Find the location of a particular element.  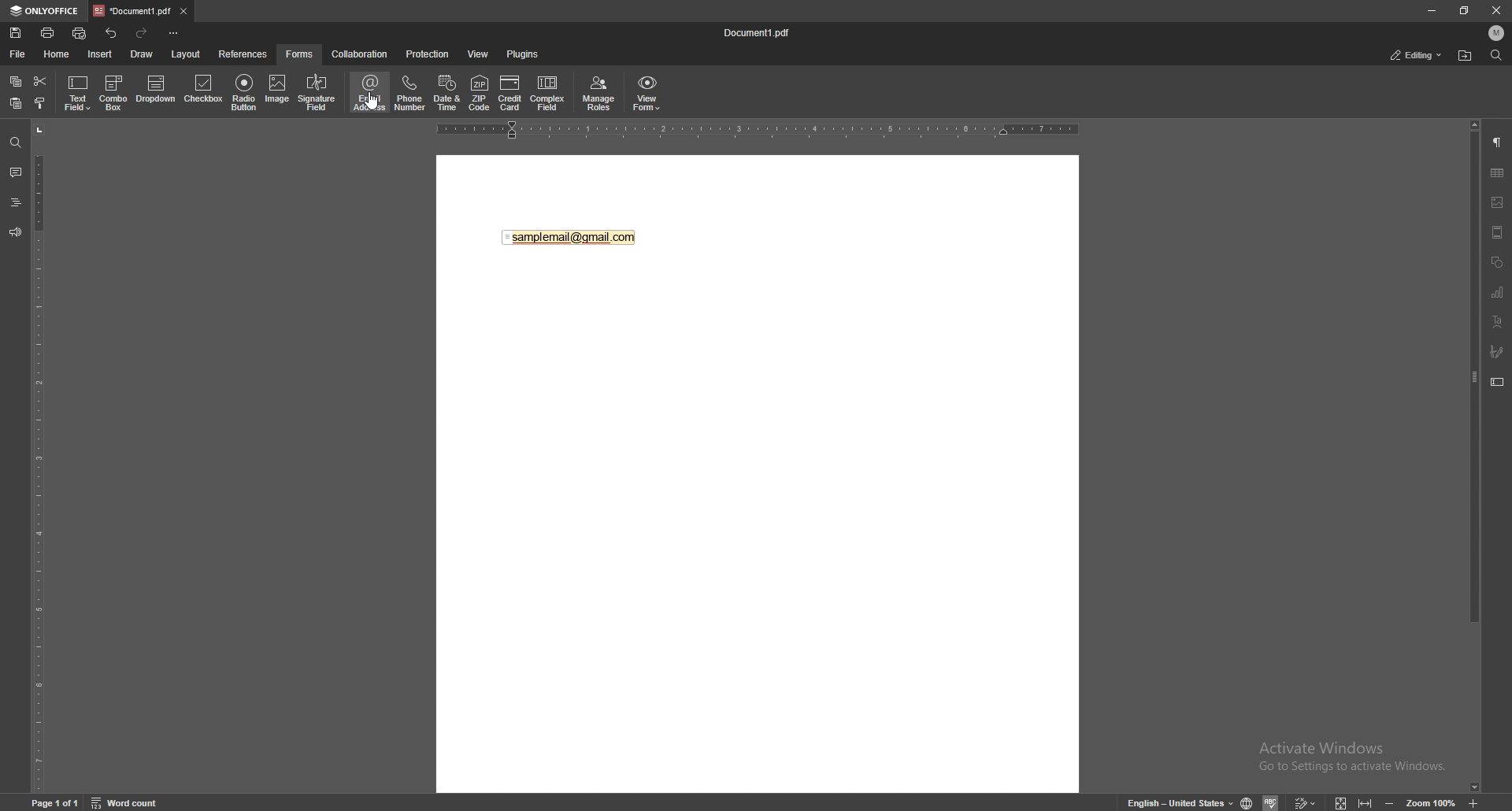

signature field is located at coordinates (317, 93).